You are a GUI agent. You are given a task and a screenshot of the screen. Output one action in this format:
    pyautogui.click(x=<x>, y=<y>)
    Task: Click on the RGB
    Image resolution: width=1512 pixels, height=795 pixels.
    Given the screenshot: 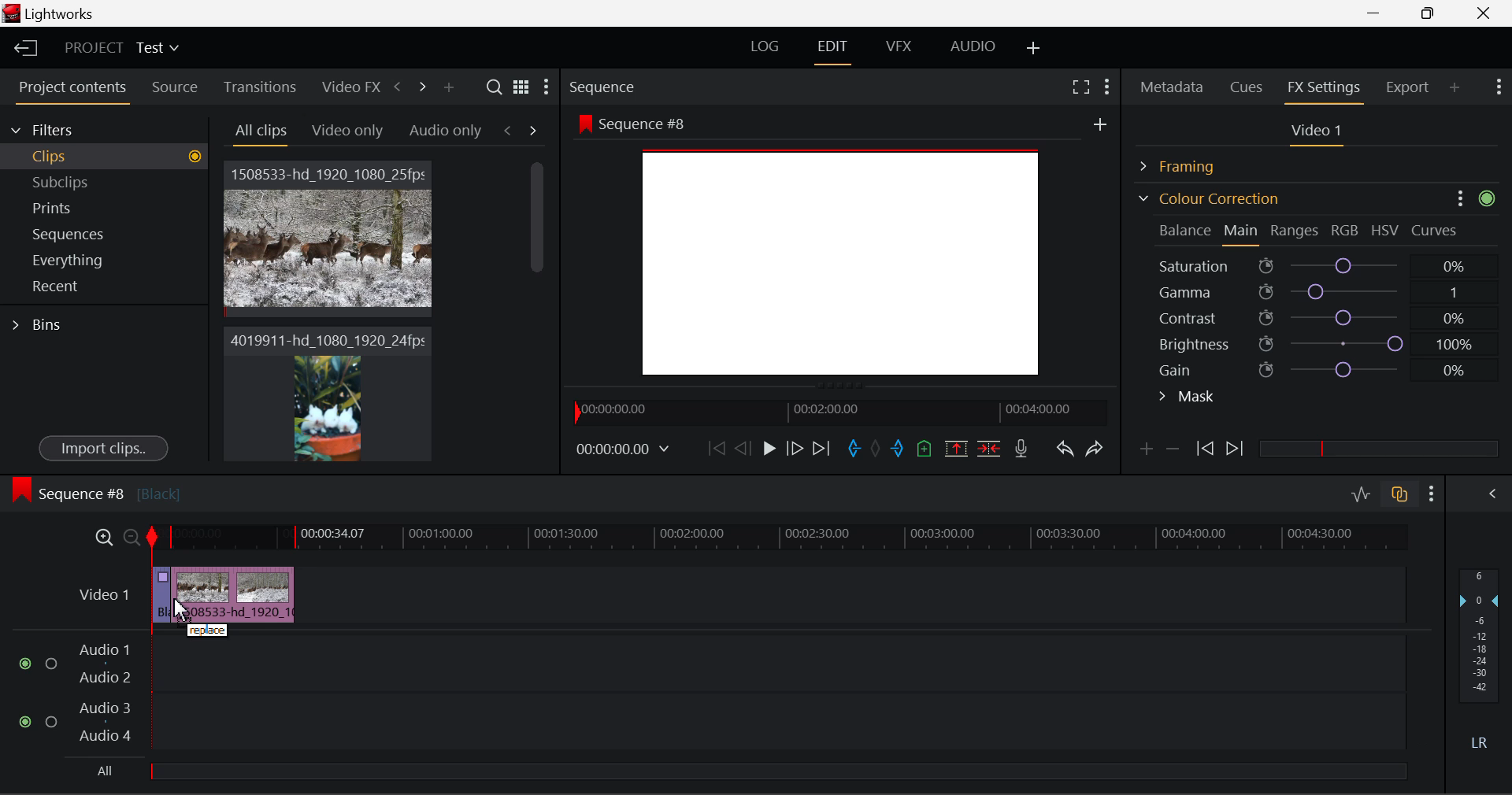 What is the action you would take?
    pyautogui.click(x=1346, y=231)
    